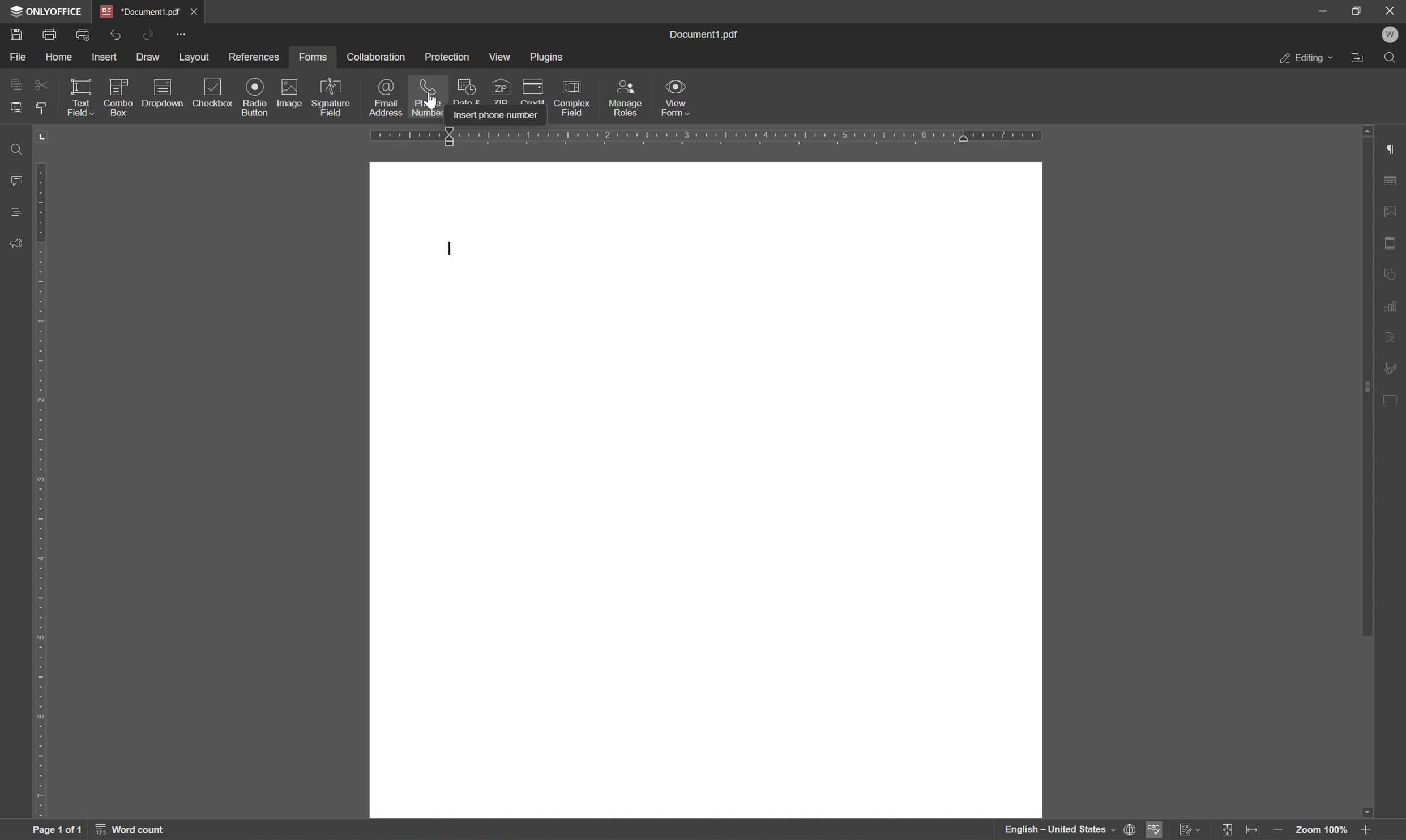 The width and height of the screenshot is (1406, 840). Describe the element at coordinates (1058, 830) in the screenshot. I see `english - united states` at that location.